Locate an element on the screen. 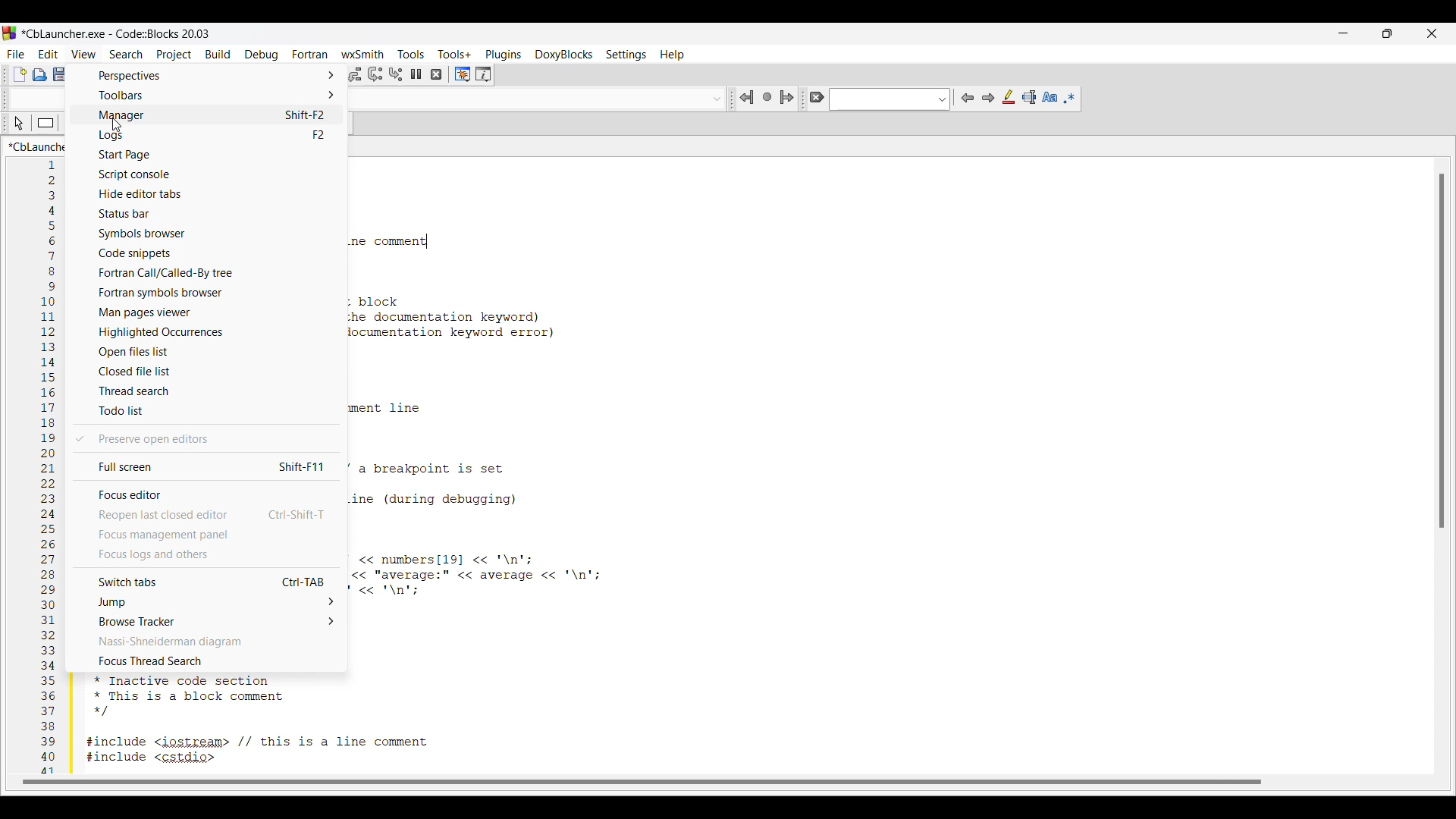 The height and width of the screenshot is (819, 1456). Browse tracker options is located at coordinates (205, 621).